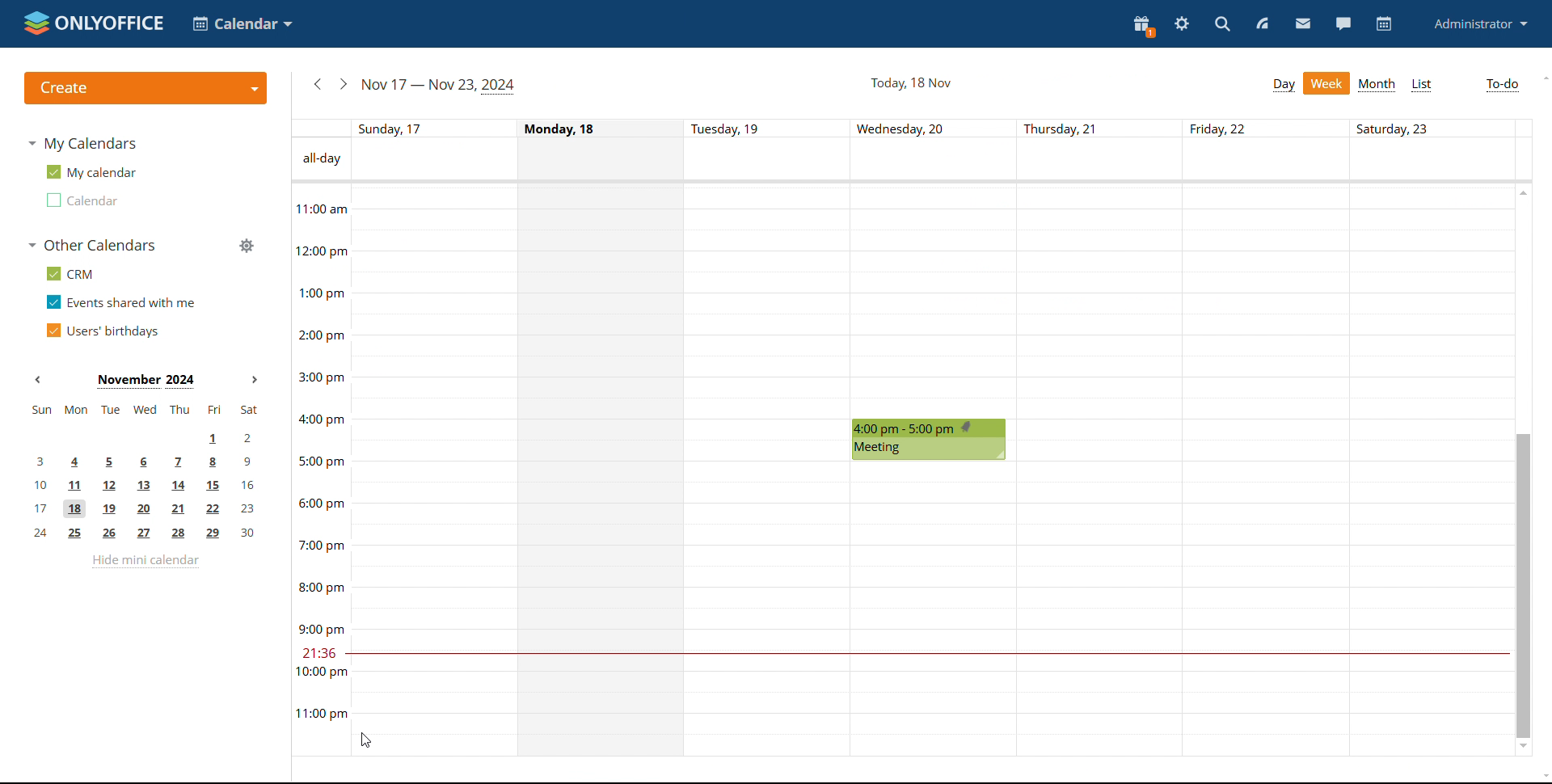  Describe the element at coordinates (91, 23) in the screenshot. I see `logo` at that location.